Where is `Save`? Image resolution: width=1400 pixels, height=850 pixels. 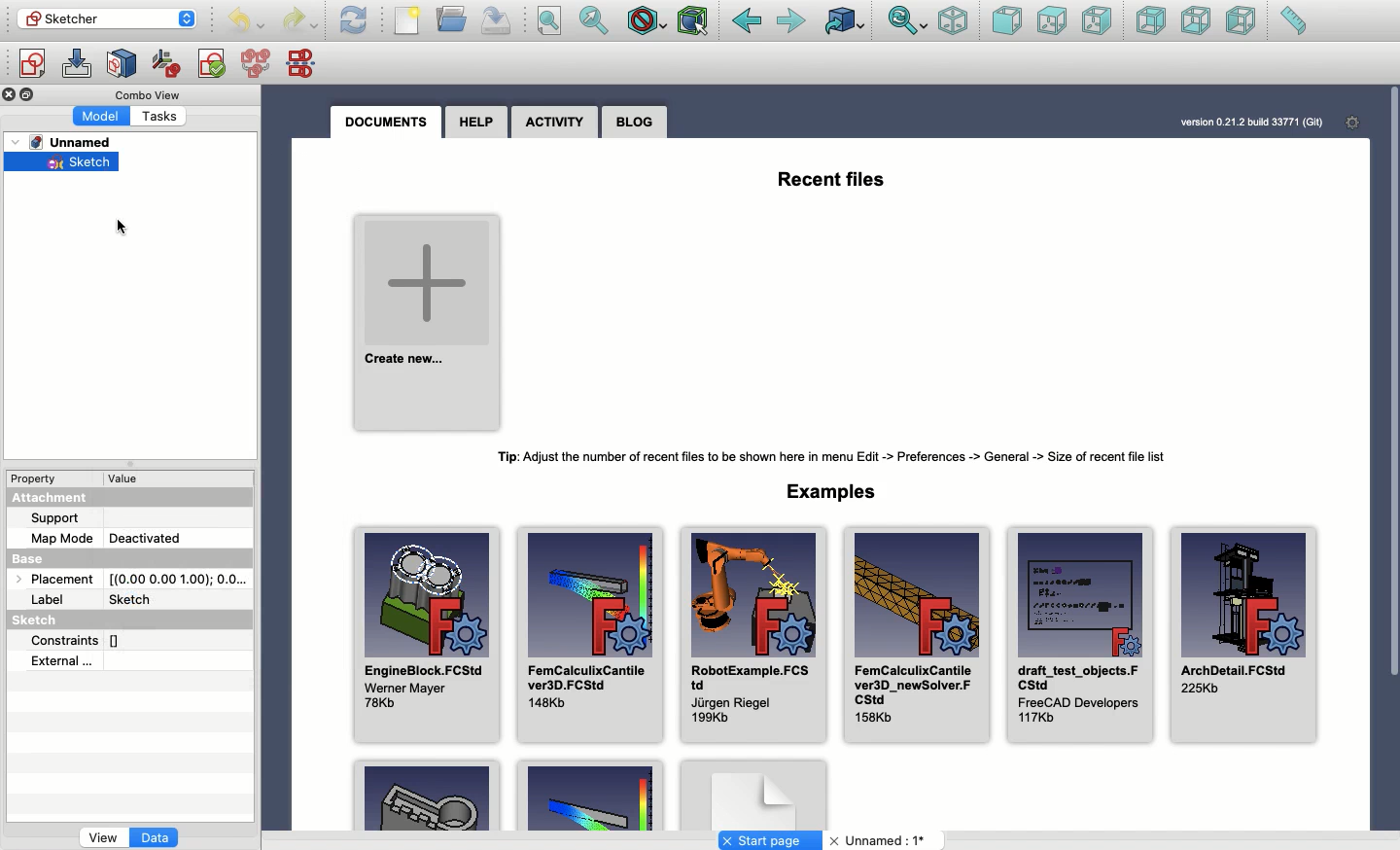 Save is located at coordinates (497, 21).